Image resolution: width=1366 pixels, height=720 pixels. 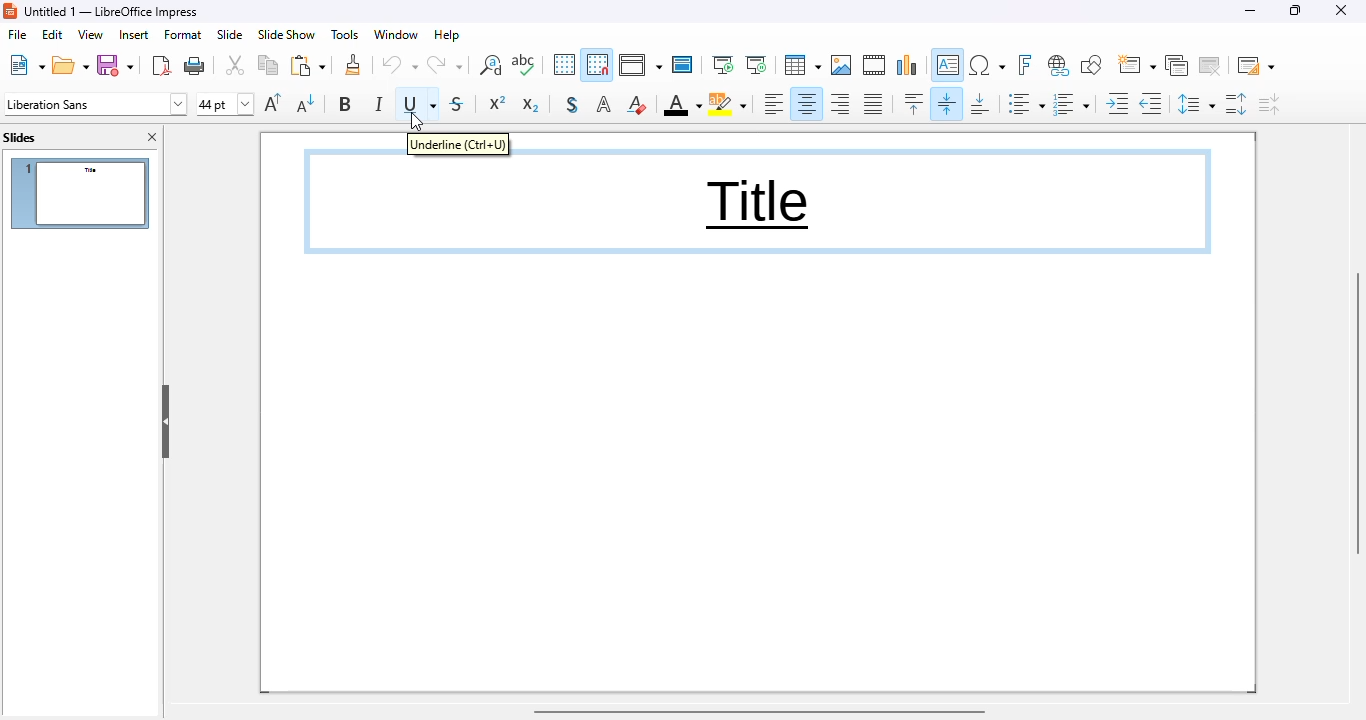 What do you see at coordinates (17, 34) in the screenshot?
I see `file` at bounding box center [17, 34].